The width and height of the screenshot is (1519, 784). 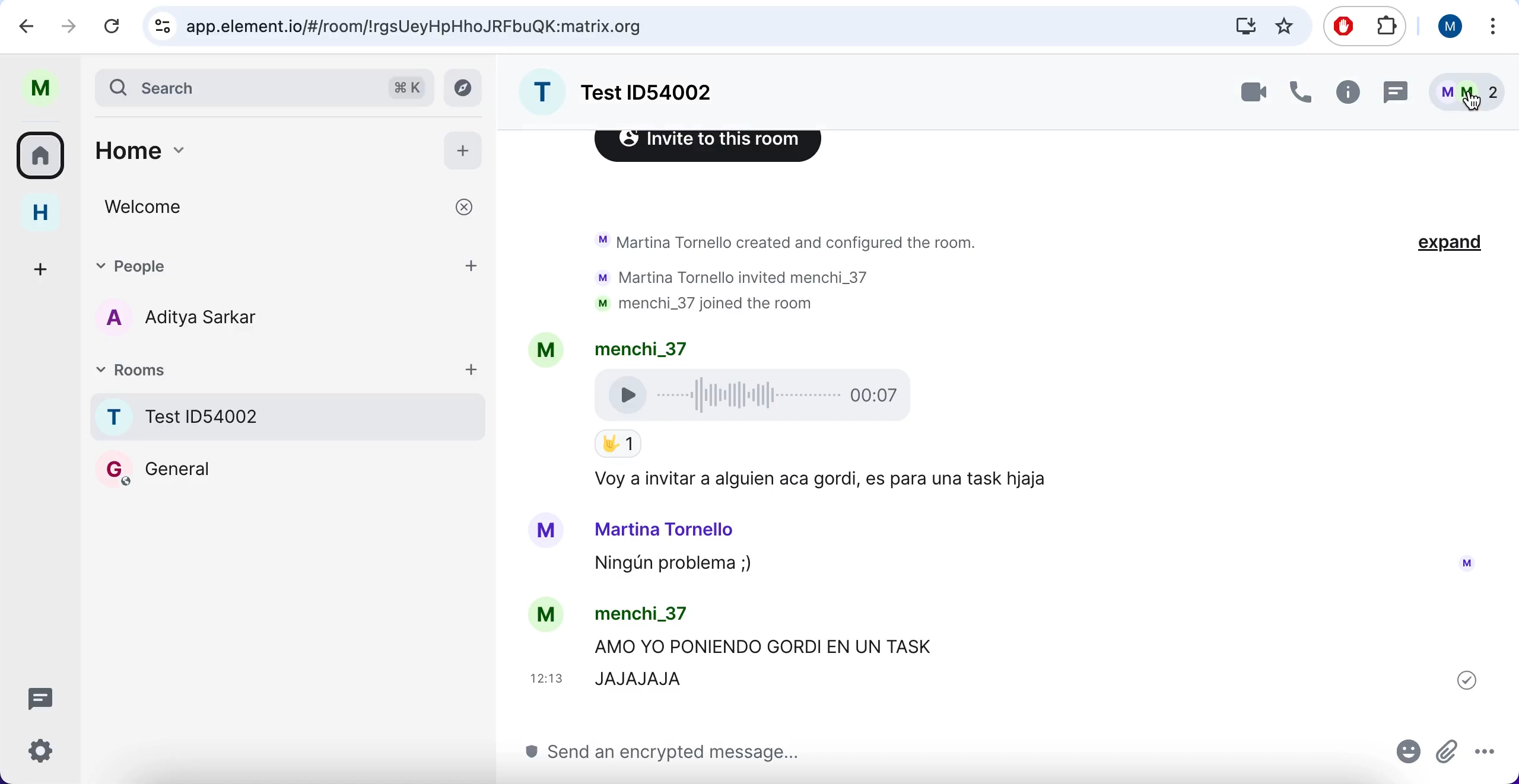 What do you see at coordinates (38, 267) in the screenshot?
I see `add` at bounding box center [38, 267].